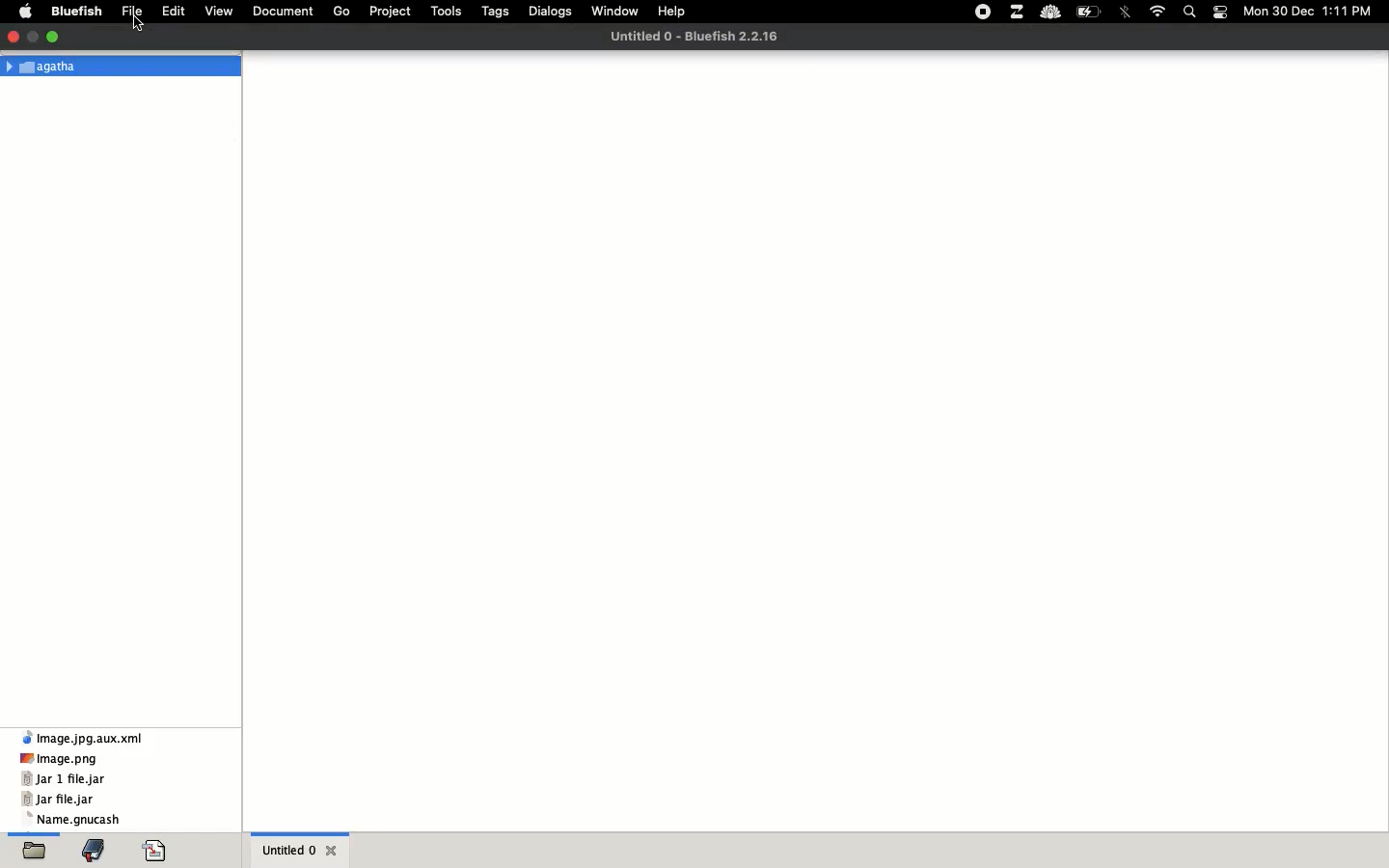 This screenshot has height=868, width=1389. What do you see at coordinates (1019, 12) in the screenshot?
I see `zulip` at bounding box center [1019, 12].